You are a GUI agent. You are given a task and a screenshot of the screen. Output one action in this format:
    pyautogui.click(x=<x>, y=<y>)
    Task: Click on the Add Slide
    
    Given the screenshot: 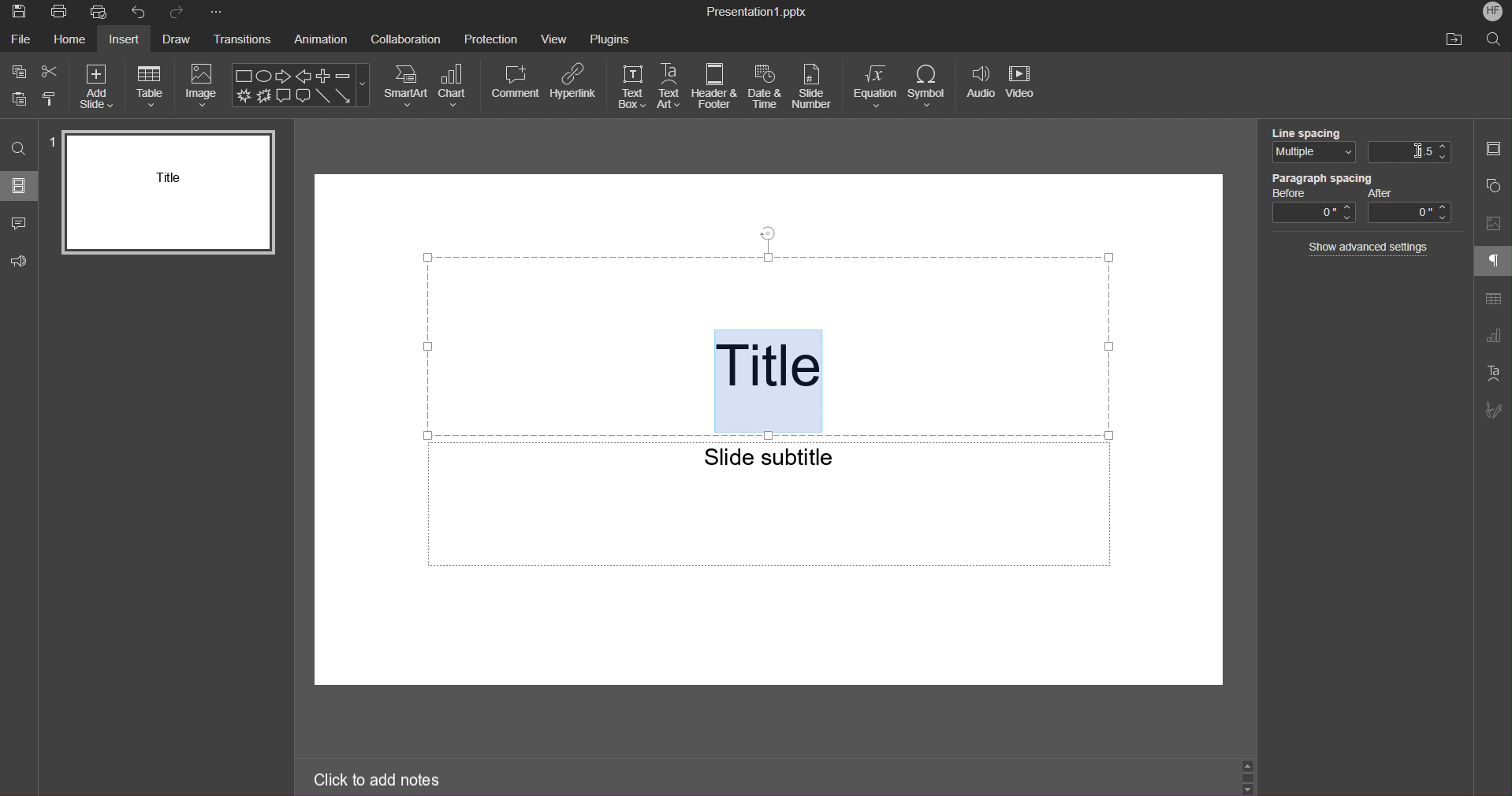 What is the action you would take?
    pyautogui.click(x=99, y=84)
    